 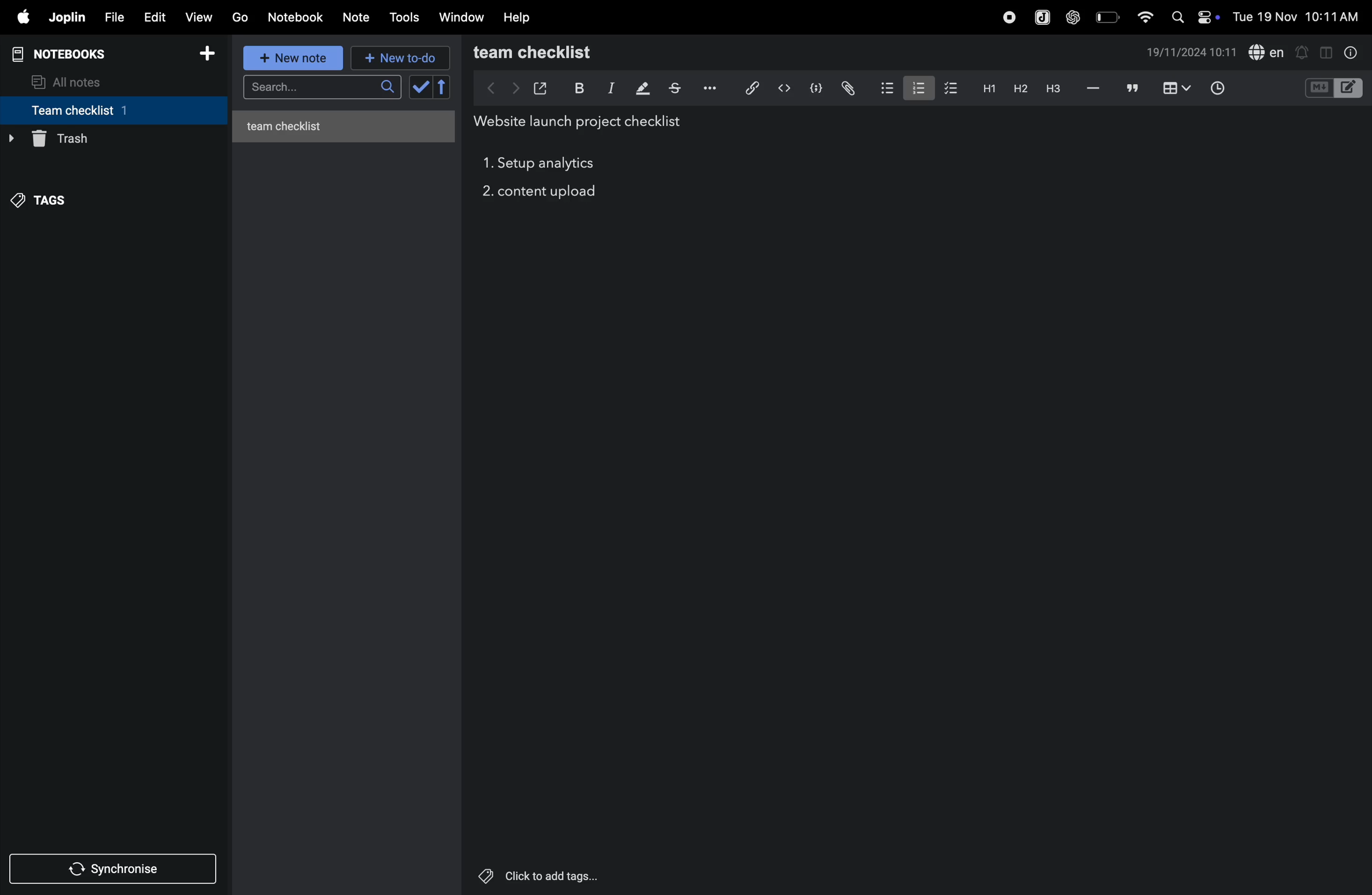 What do you see at coordinates (674, 88) in the screenshot?
I see `strike through` at bounding box center [674, 88].